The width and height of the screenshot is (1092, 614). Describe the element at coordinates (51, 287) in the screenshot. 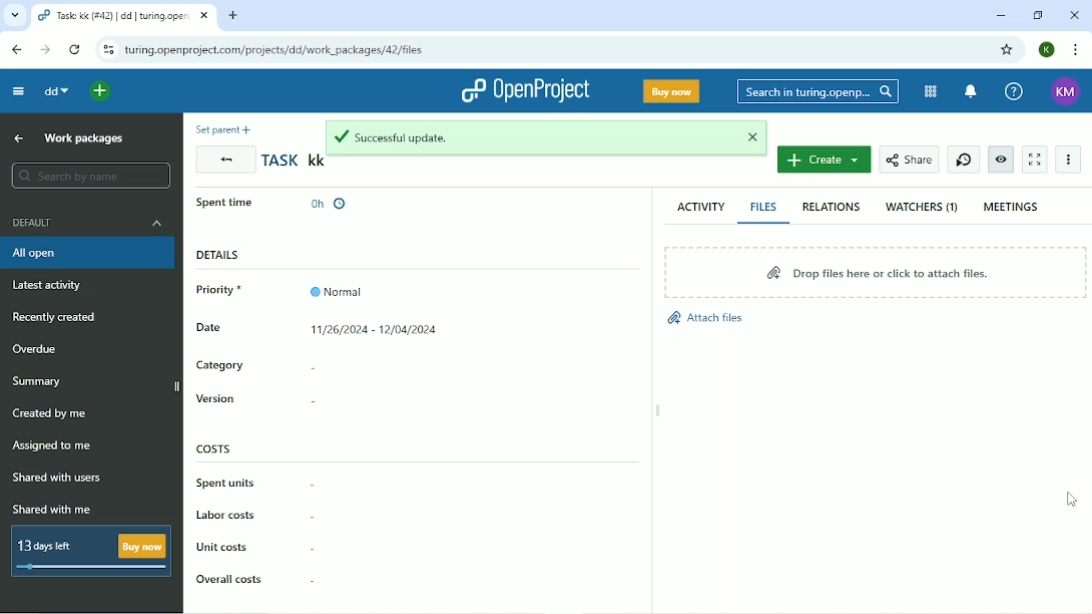

I see `Latest activity` at that location.